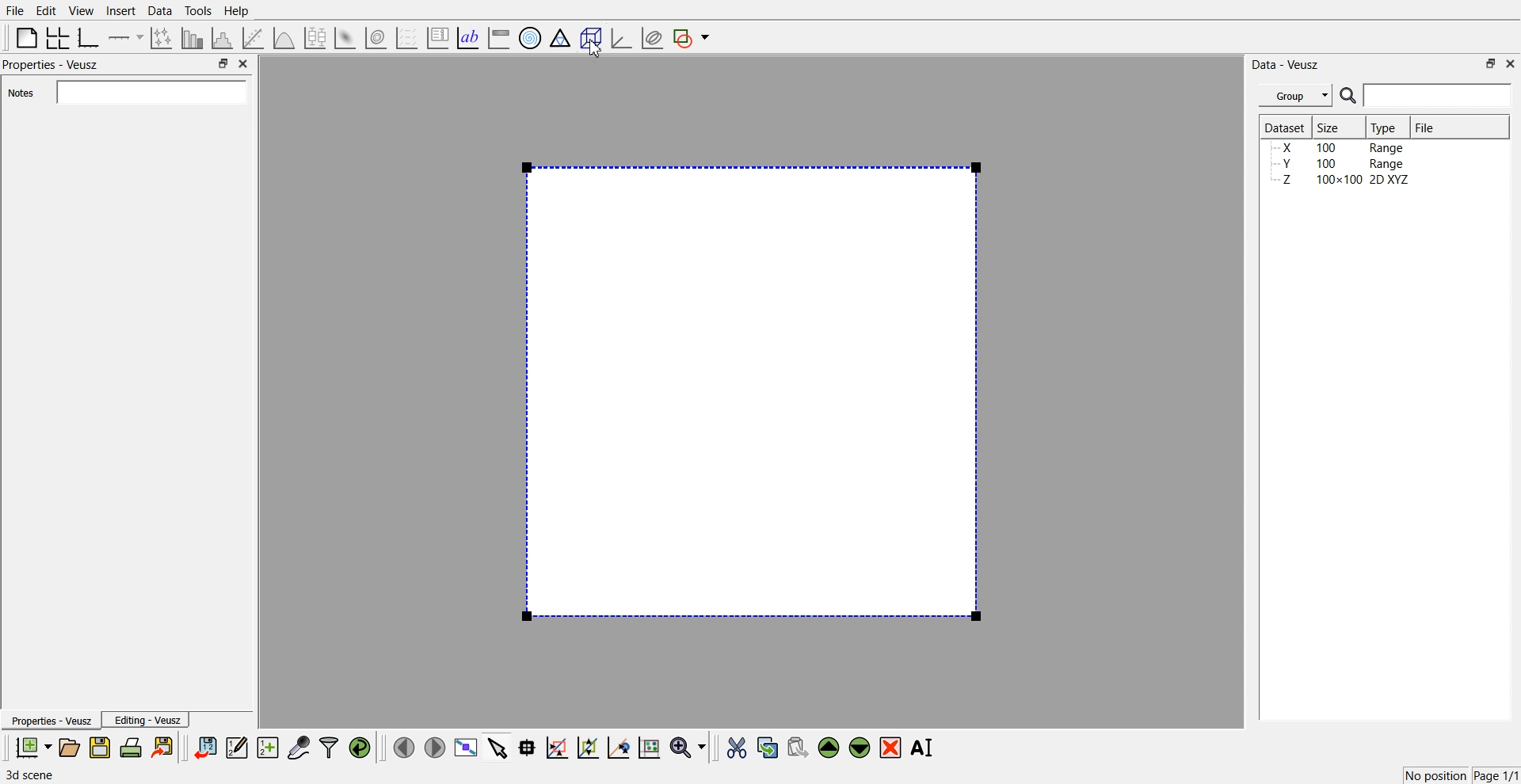 The width and height of the screenshot is (1521, 784). I want to click on Zoom out of the graph axes, so click(588, 747).